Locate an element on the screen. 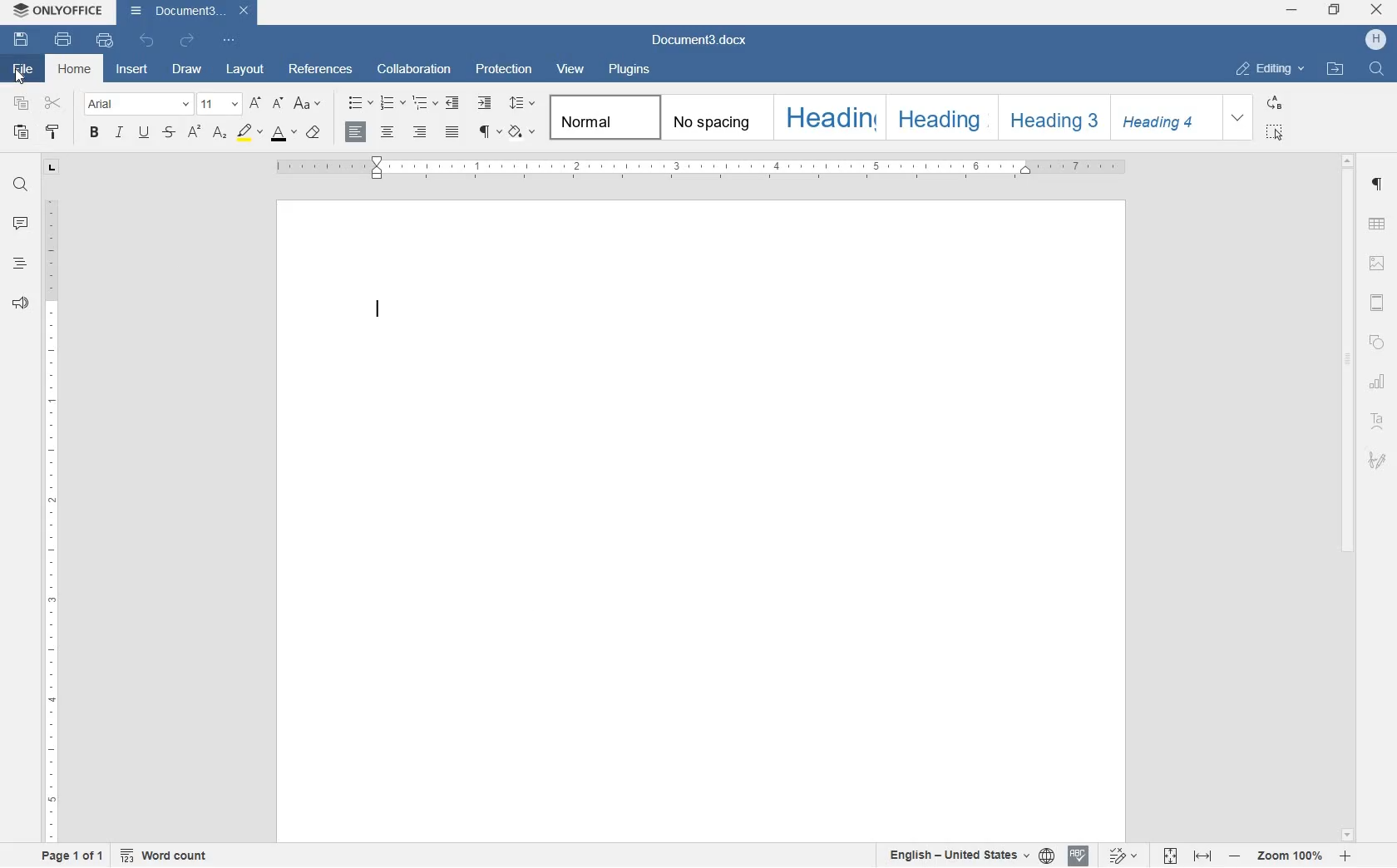 The width and height of the screenshot is (1397, 868). align right is located at coordinates (357, 133).